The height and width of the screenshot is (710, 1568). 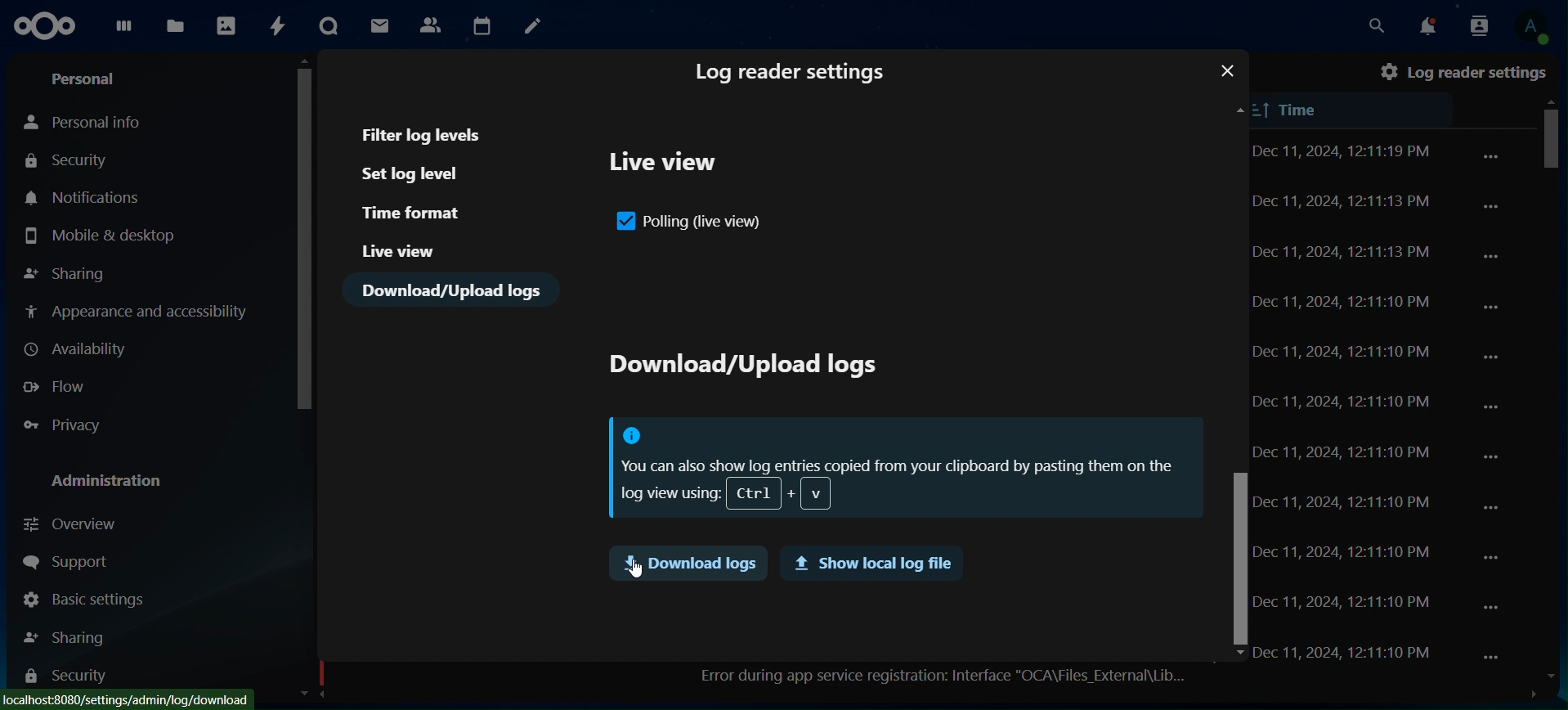 What do you see at coordinates (666, 166) in the screenshot?
I see `live view` at bounding box center [666, 166].